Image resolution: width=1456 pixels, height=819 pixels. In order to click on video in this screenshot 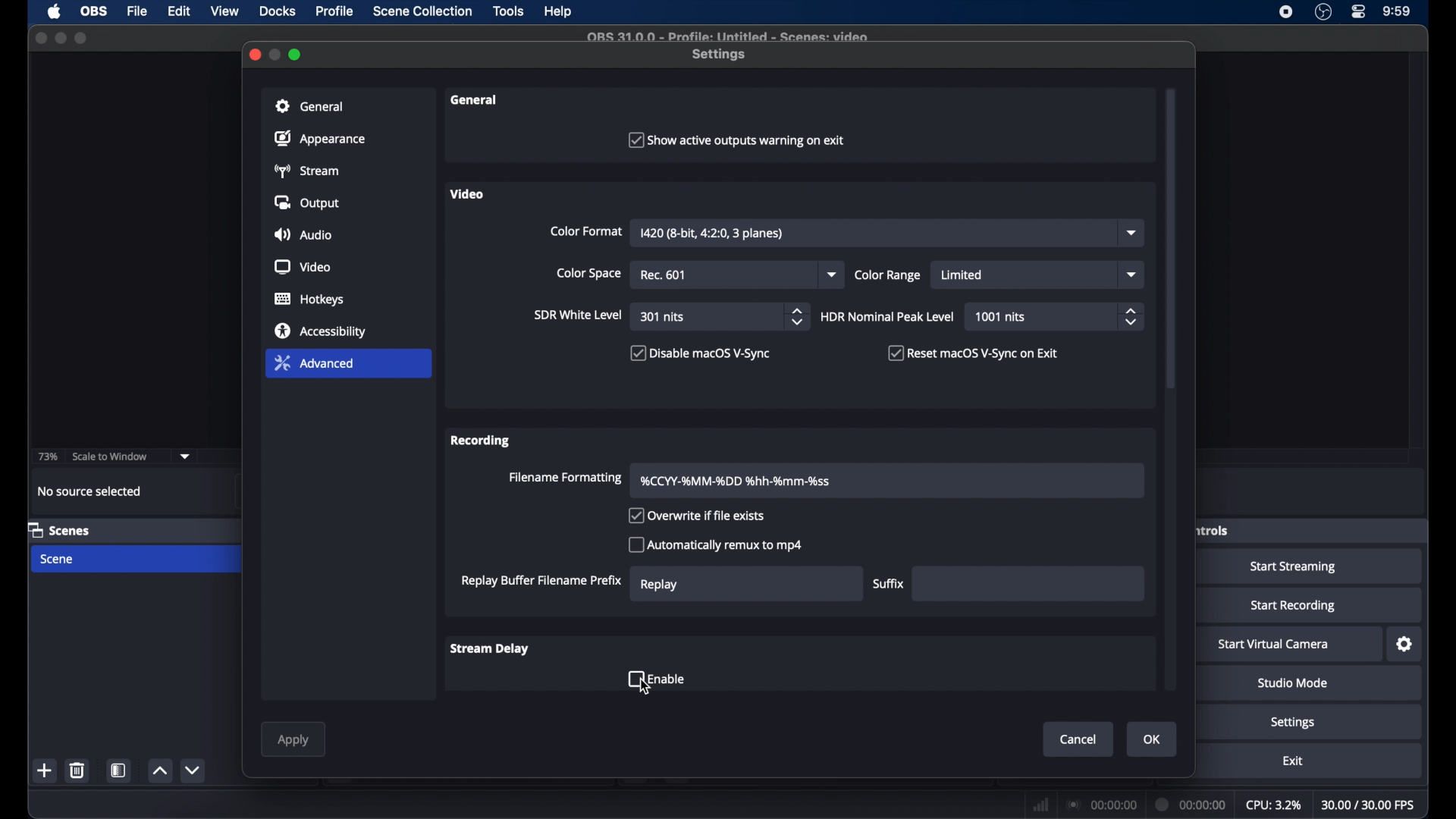, I will do `click(467, 193)`.